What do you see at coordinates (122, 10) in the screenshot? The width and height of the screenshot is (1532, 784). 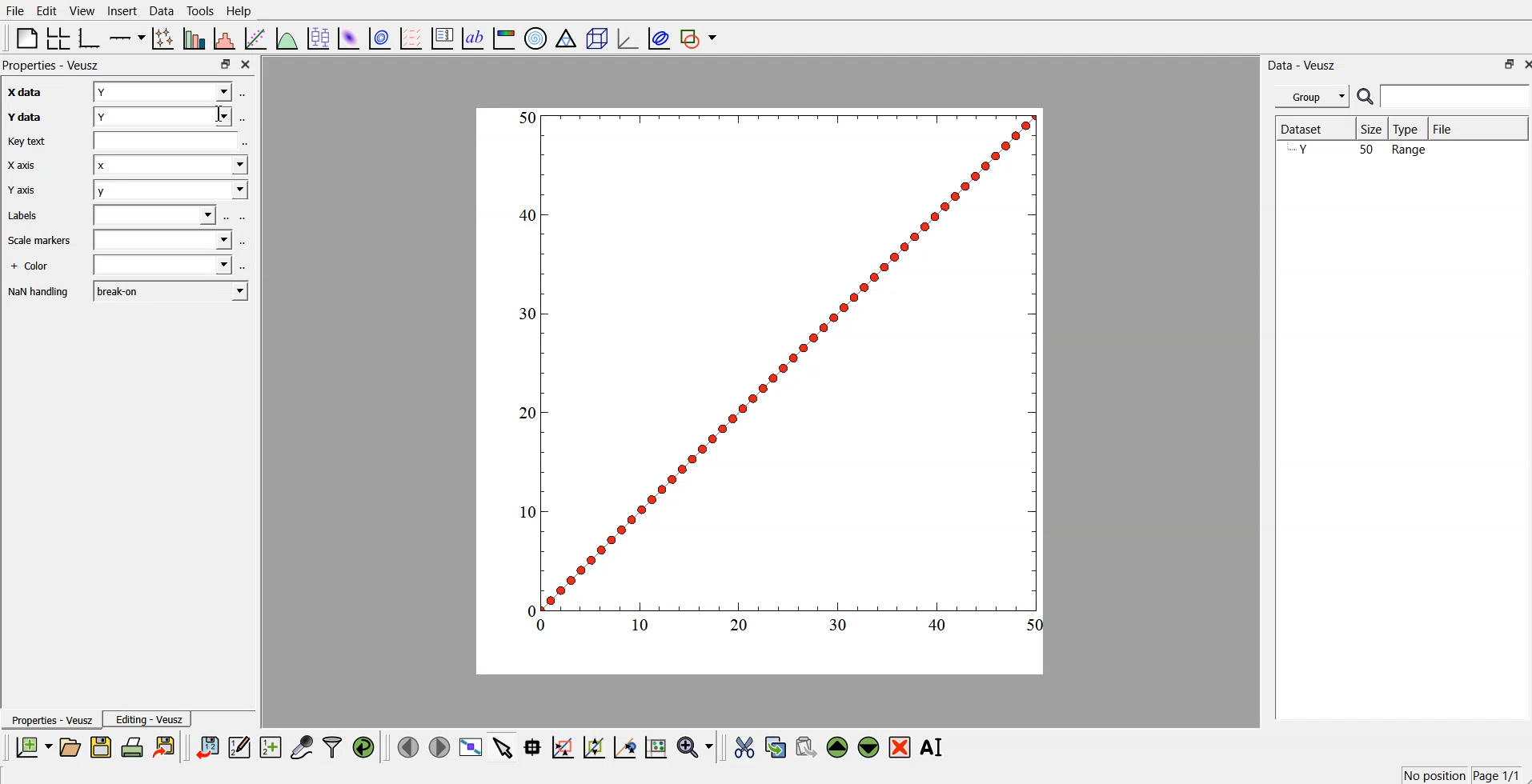 I see `Insert` at bounding box center [122, 10].